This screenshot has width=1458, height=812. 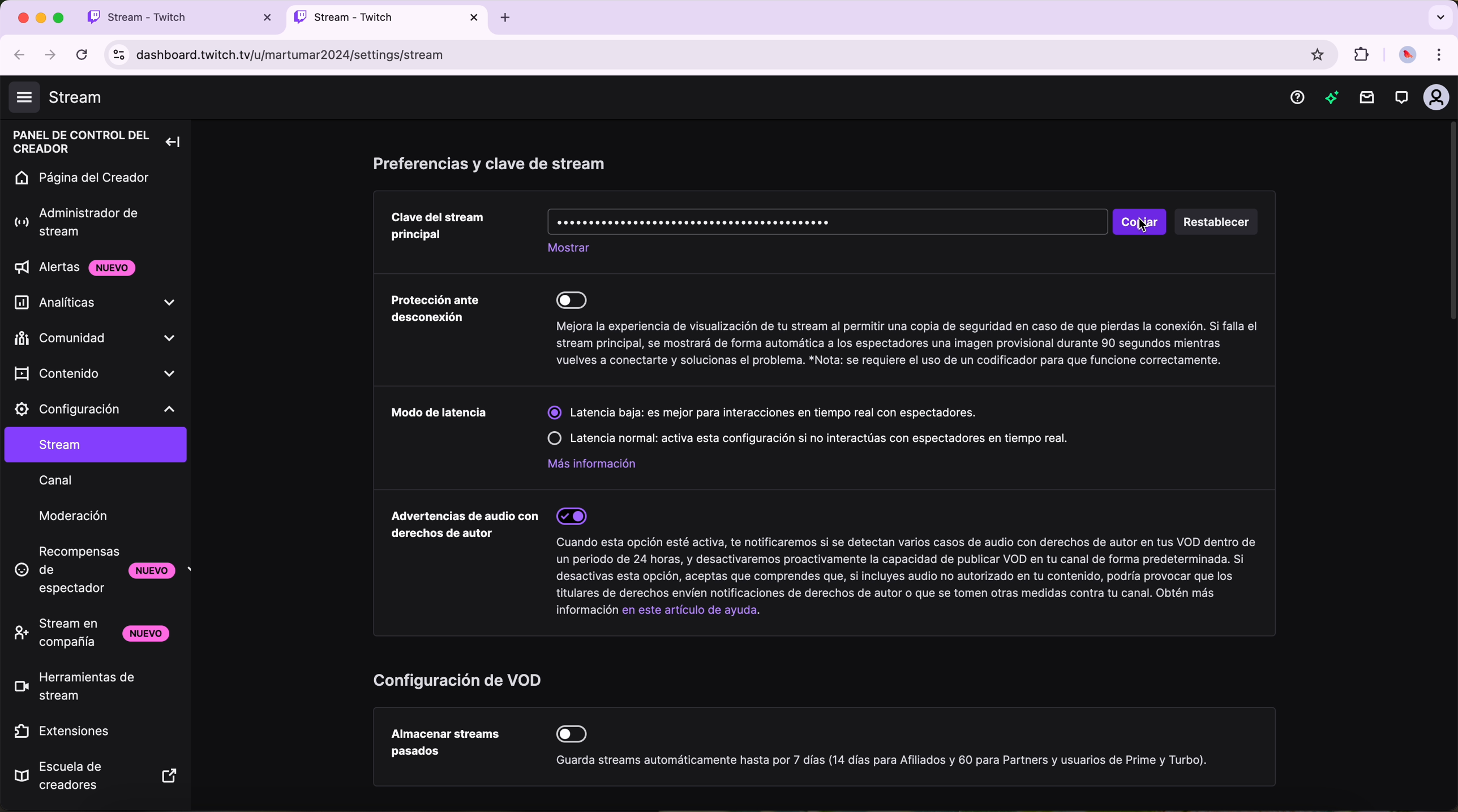 What do you see at coordinates (178, 18) in the screenshot?
I see `tab` at bounding box center [178, 18].